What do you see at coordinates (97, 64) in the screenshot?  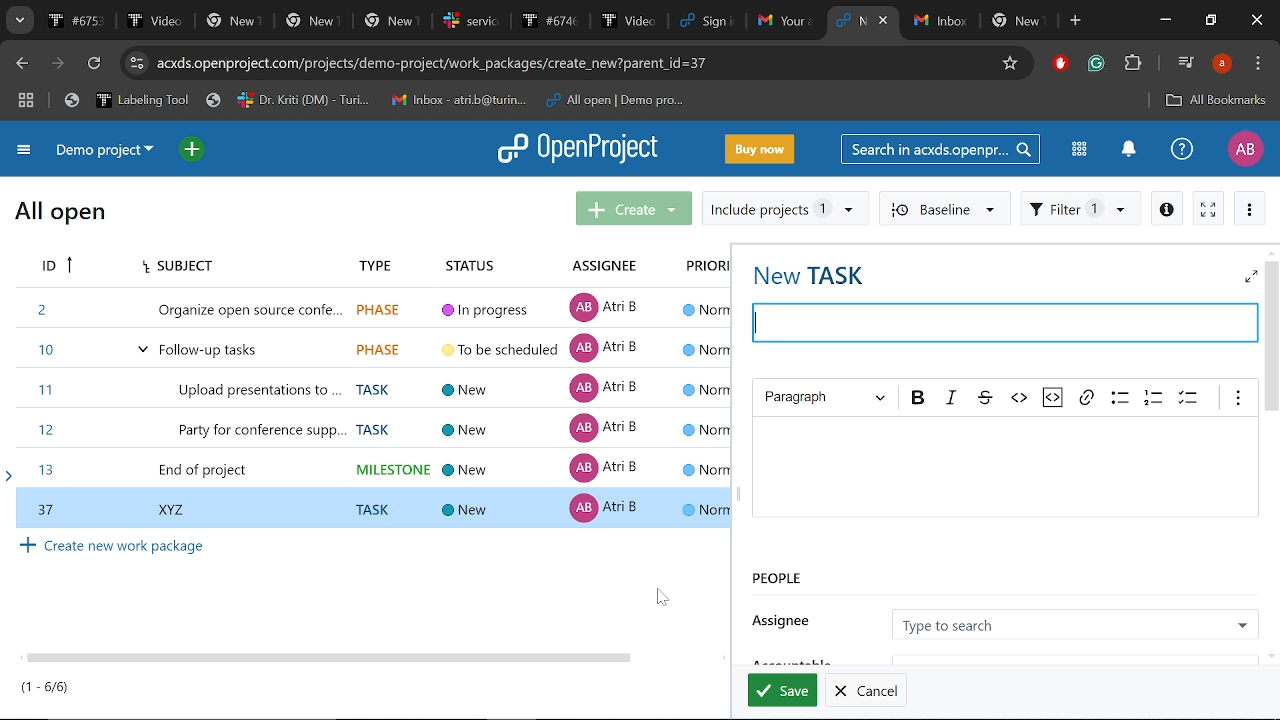 I see `Refresh` at bounding box center [97, 64].